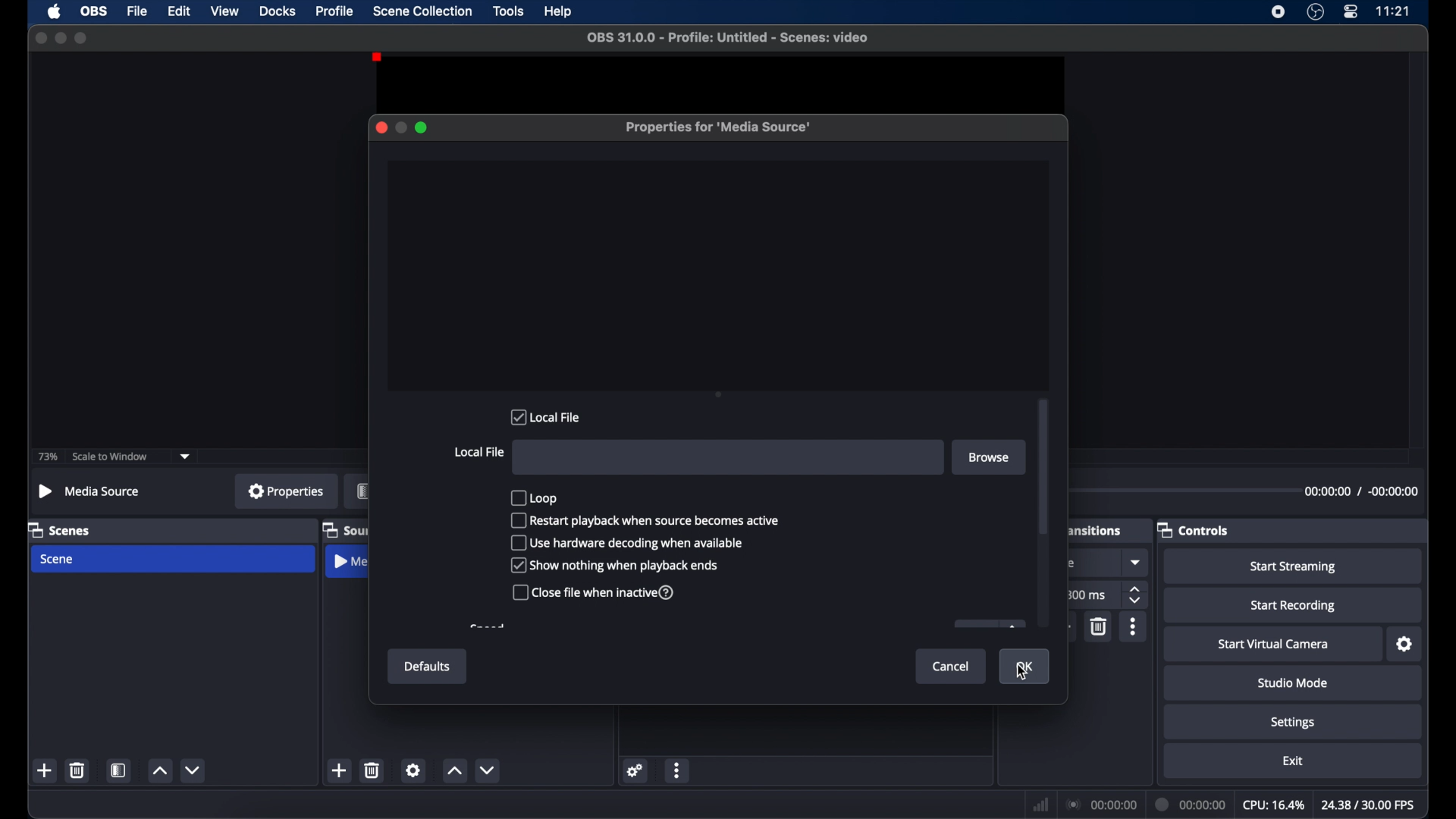 The height and width of the screenshot is (819, 1456). I want to click on file name, so click(728, 38).